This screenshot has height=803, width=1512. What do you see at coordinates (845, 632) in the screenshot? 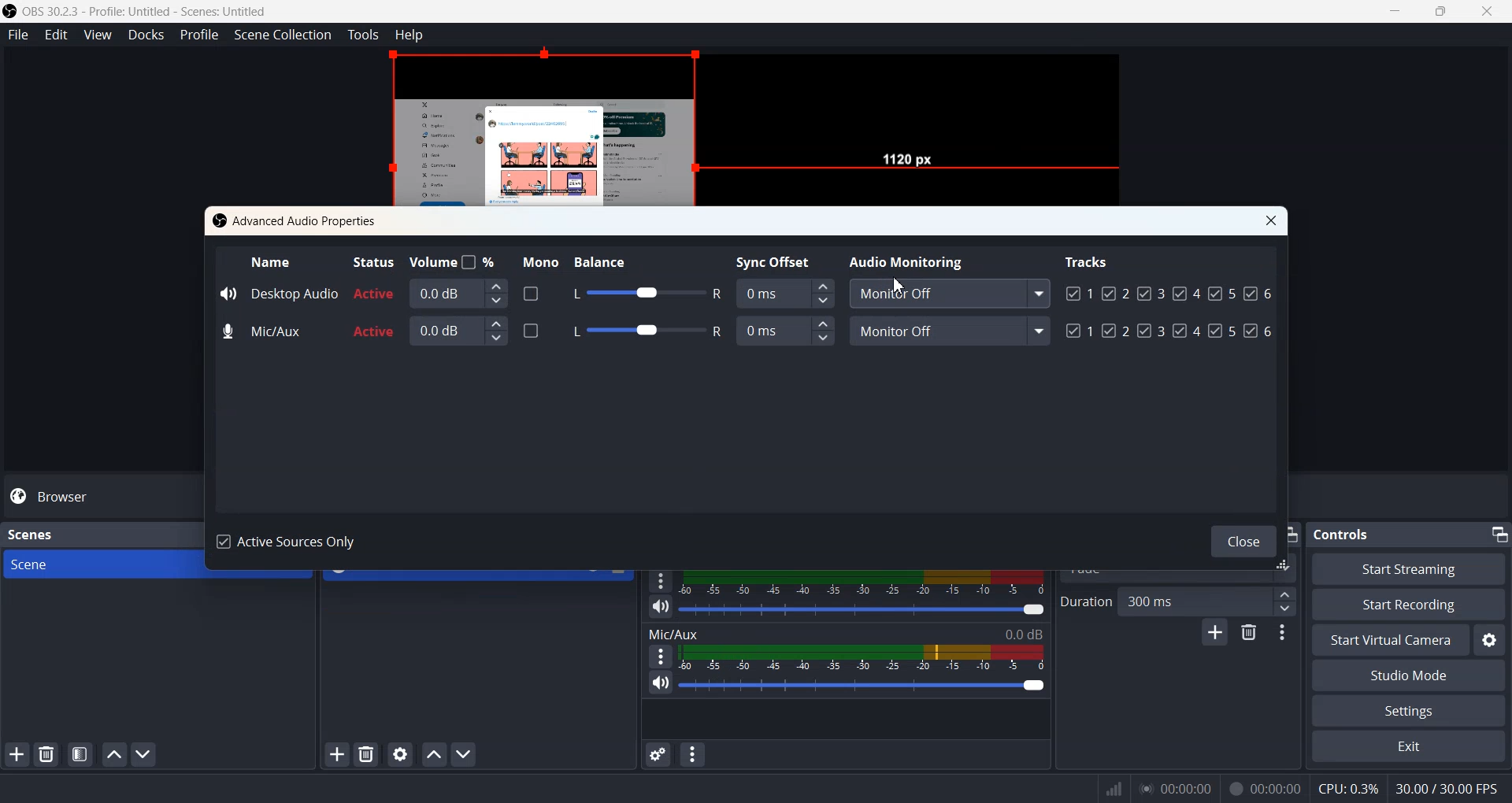
I see `Mic/Aux 0.0 dB` at bounding box center [845, 632].